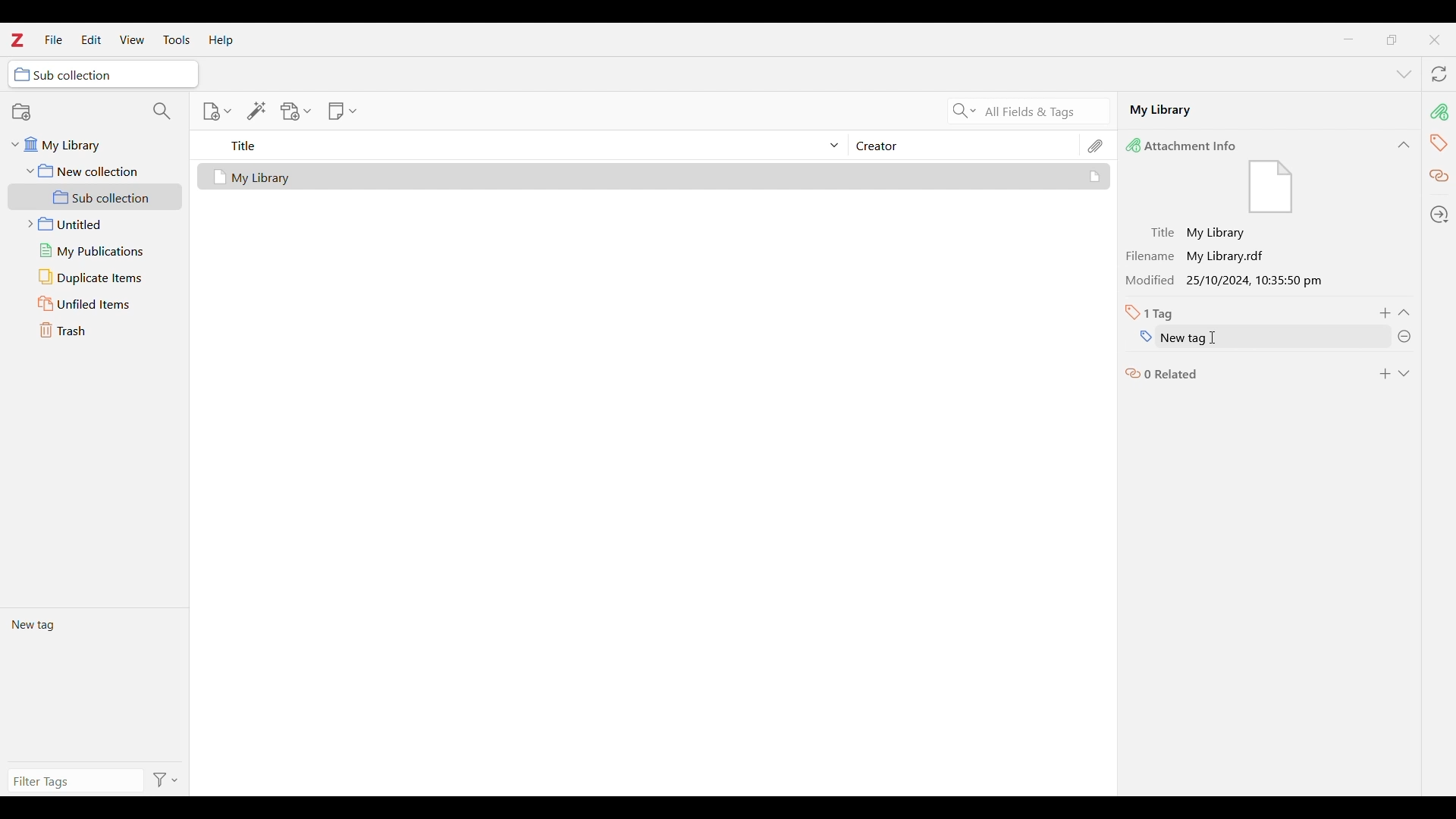  Describe the element at coordinates (103, 74) in the screenshot. I see `Selected folder` at that location.